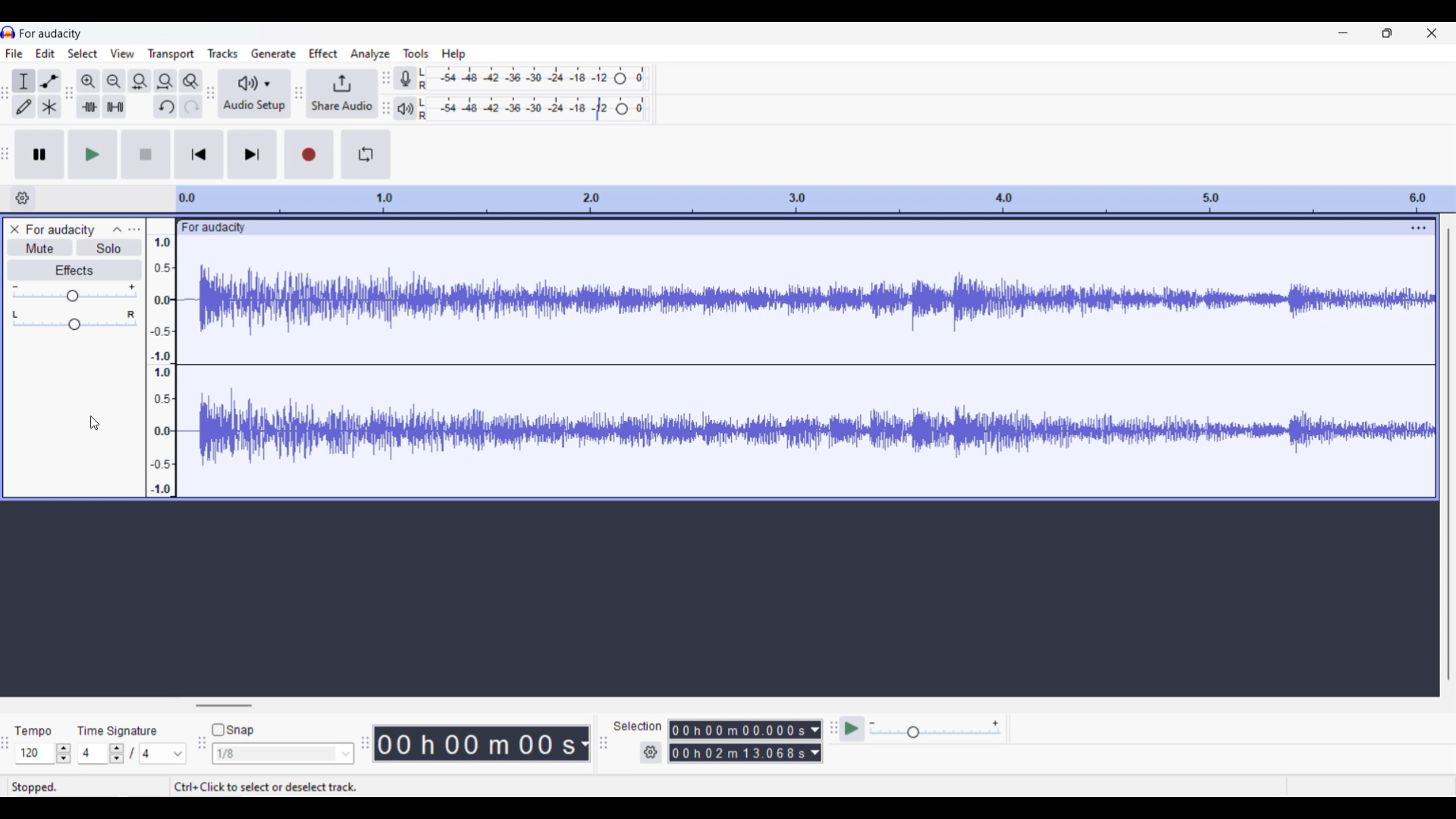 The image size is (1456, 819). Describe the element at coordinates (24, 107) in the screenshot. I see `Draw tool` at that location.